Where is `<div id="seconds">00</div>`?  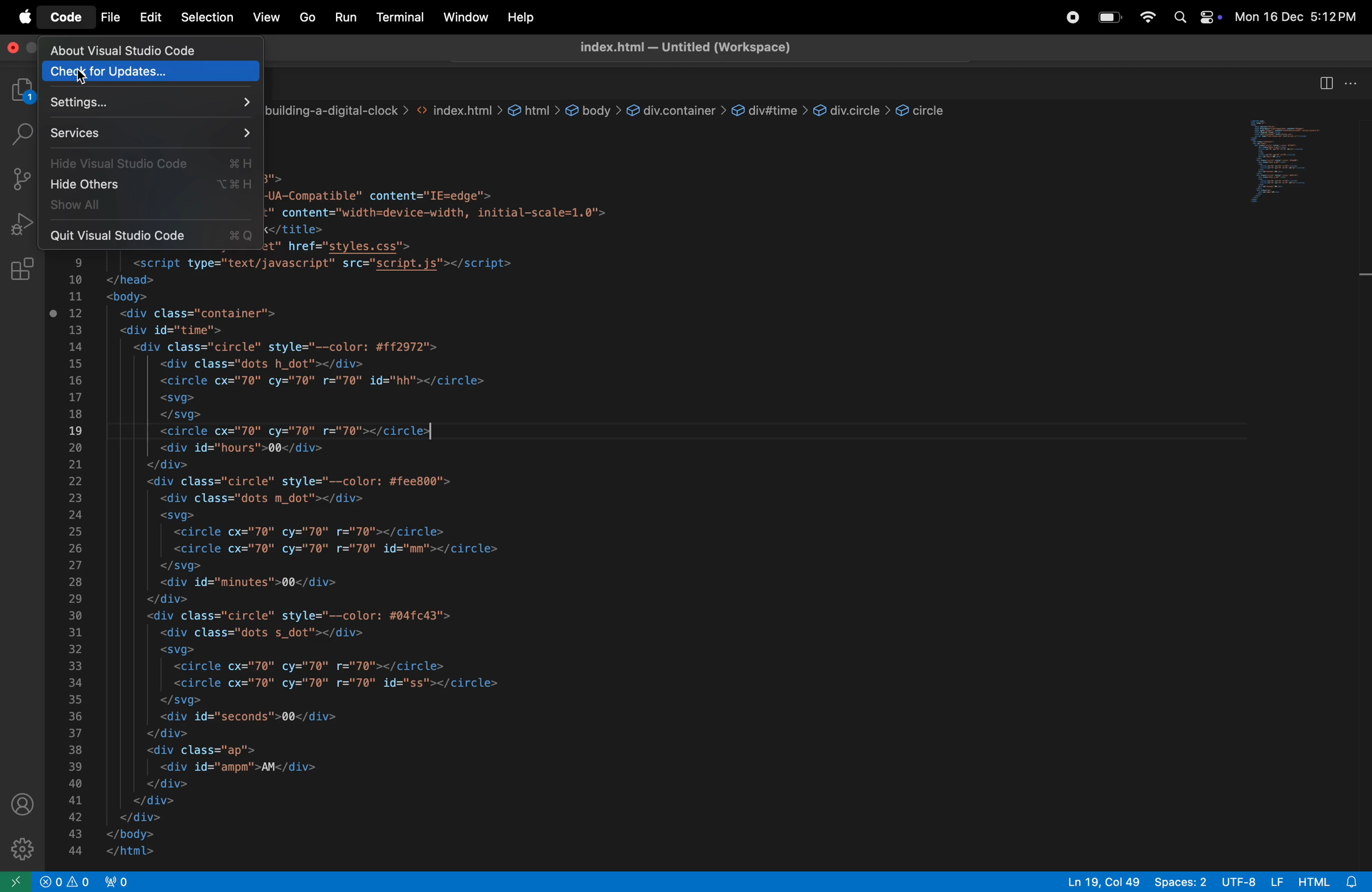 <div id="seconds">00</div> is located at coordinates (251, 717).